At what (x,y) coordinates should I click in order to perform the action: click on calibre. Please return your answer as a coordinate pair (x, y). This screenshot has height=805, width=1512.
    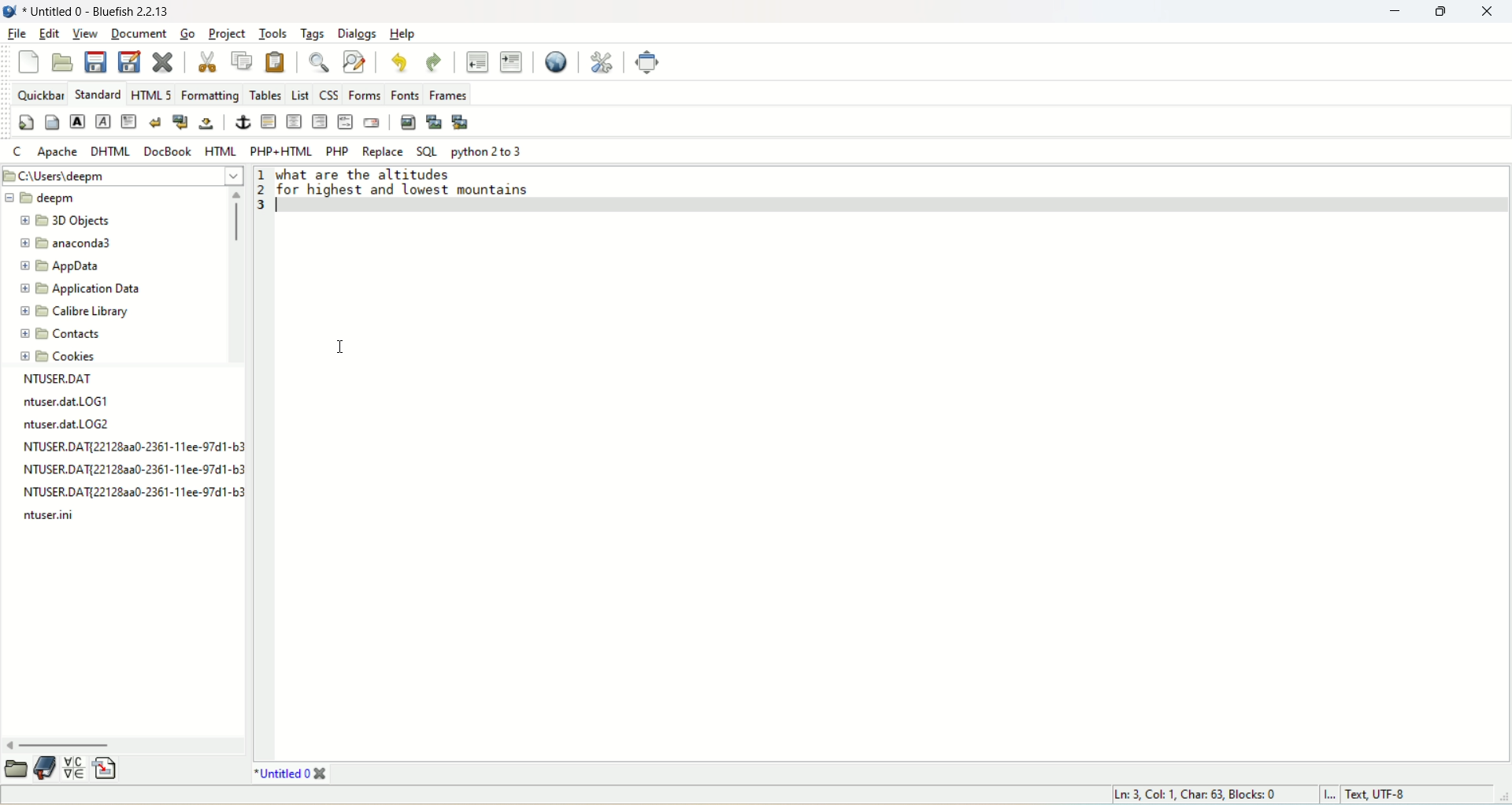
    Looking at the image, I should click on (71, 313).